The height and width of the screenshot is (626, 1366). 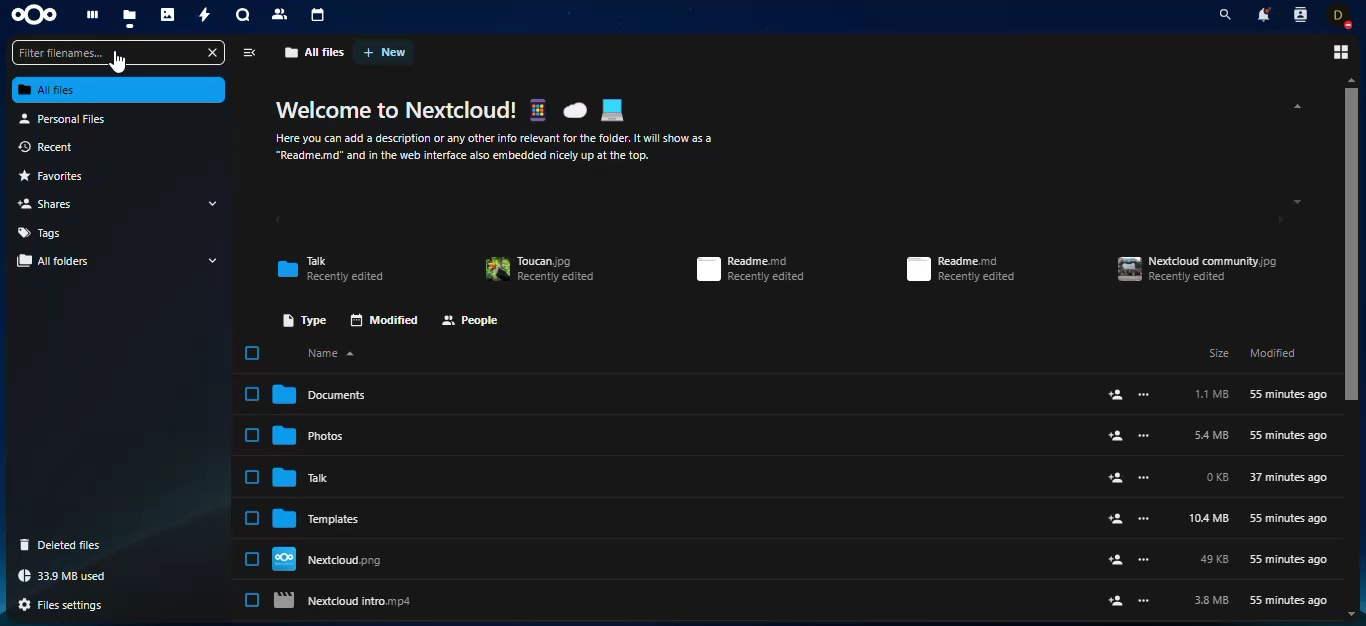 What do you see at coordinates (1262, 601) in the screenshot?
I see `3.8MB 55 minutes ago` at bounding box center [1262, 601].